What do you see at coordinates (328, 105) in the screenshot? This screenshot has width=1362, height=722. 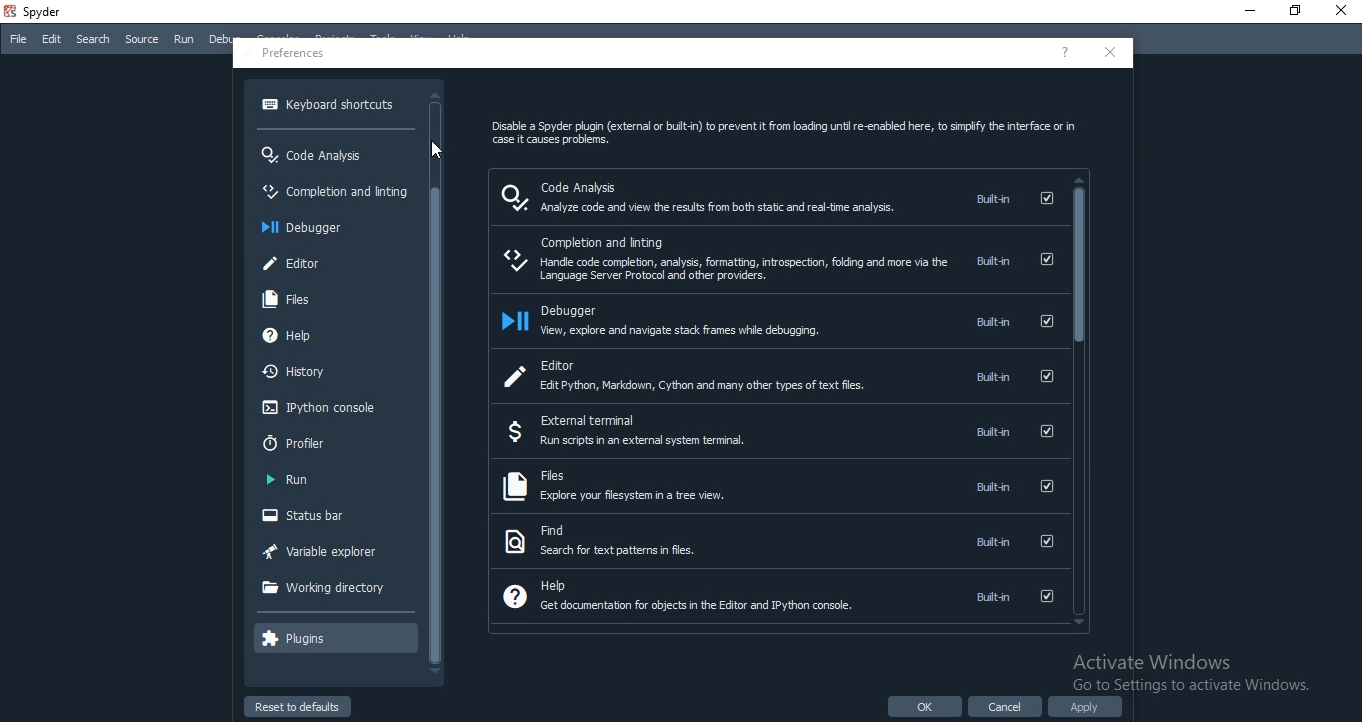 I see `keyboard shortcuts` at bounding box center [328, 105].